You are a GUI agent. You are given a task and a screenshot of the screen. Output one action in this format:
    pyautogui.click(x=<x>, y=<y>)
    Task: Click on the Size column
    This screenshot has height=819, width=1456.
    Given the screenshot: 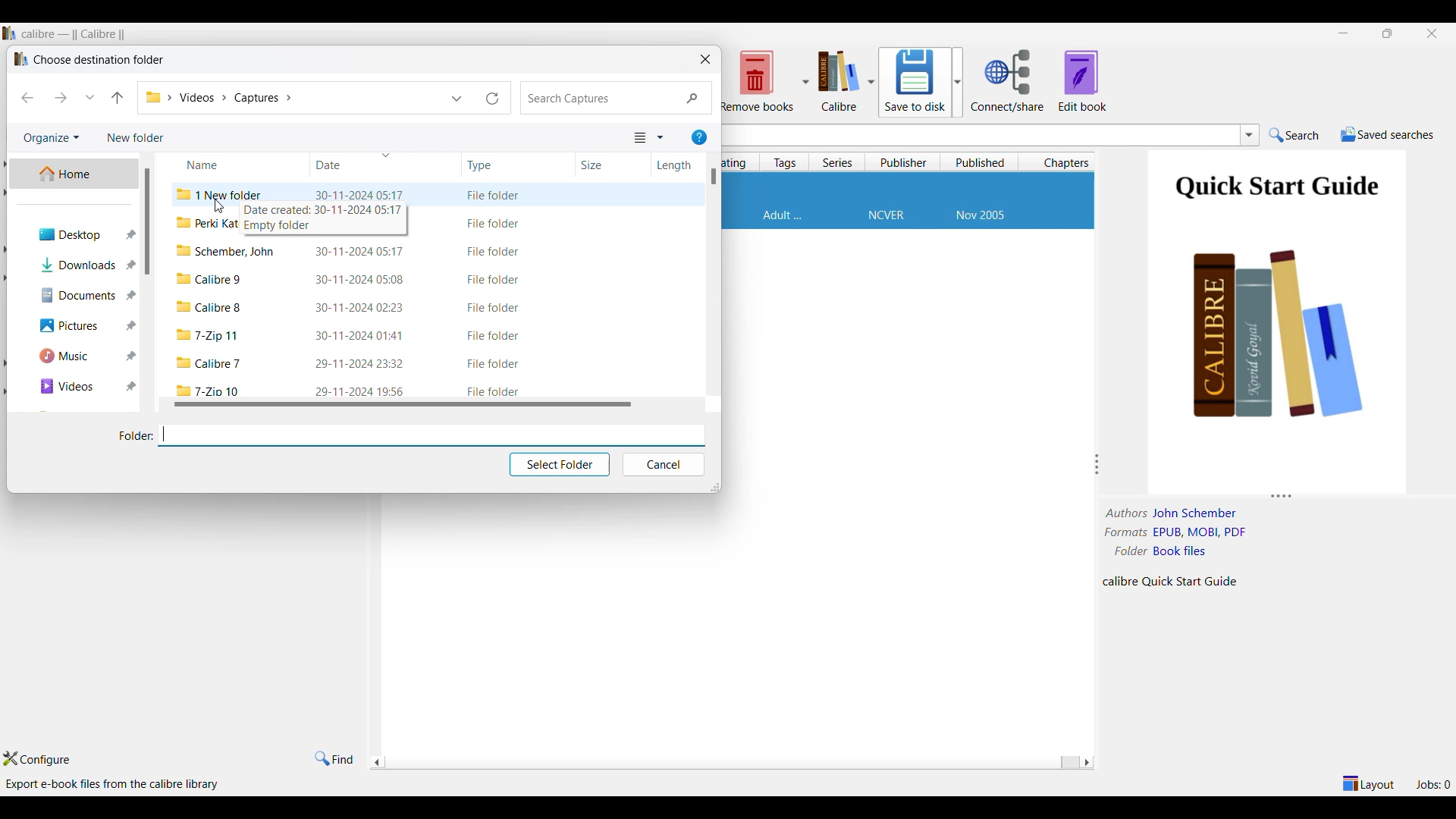 What is the action you would take?
    pyautogui.click(x=601, y=164)
    